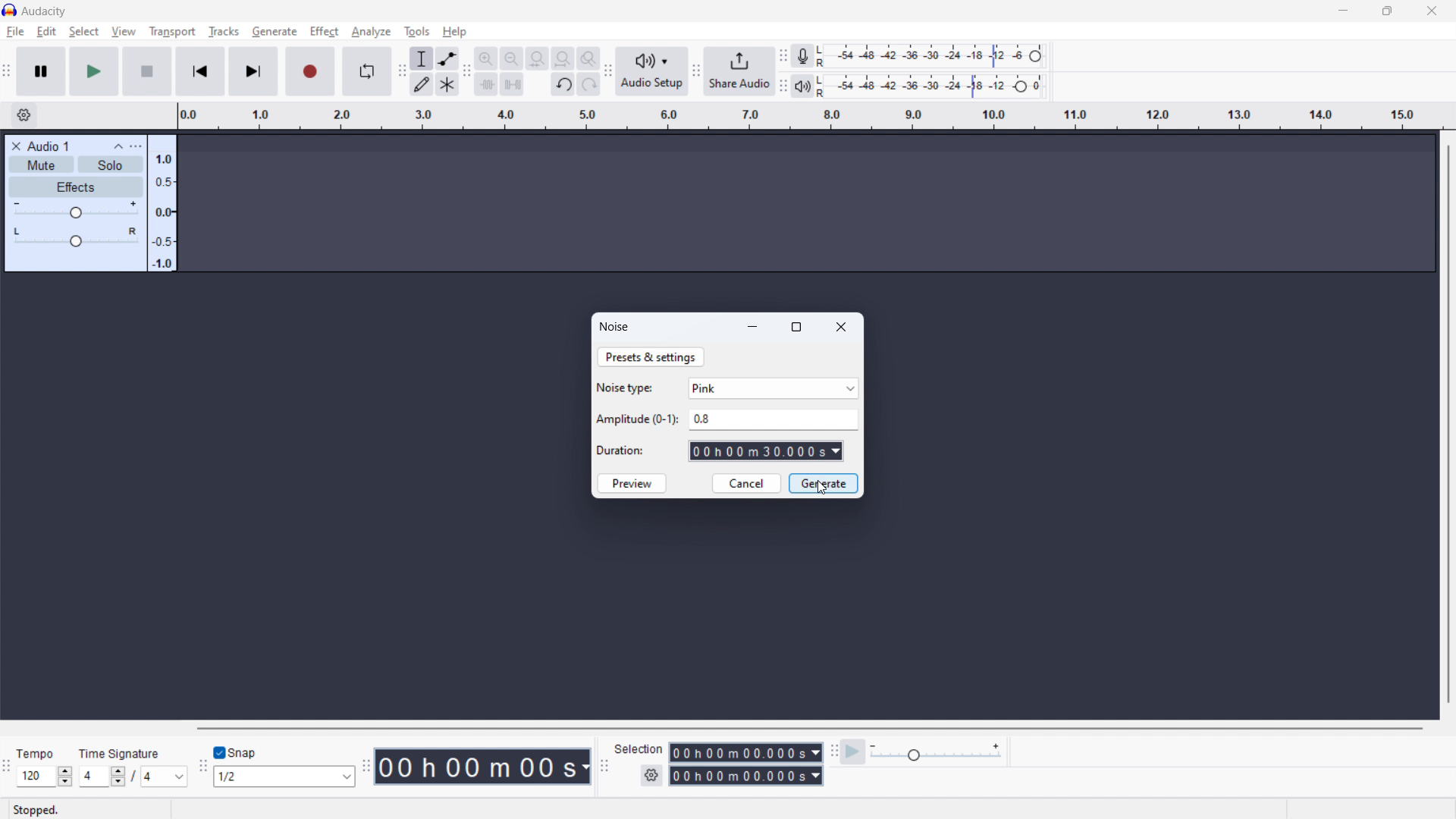  I want to click on minimize, so click(1342, 11).